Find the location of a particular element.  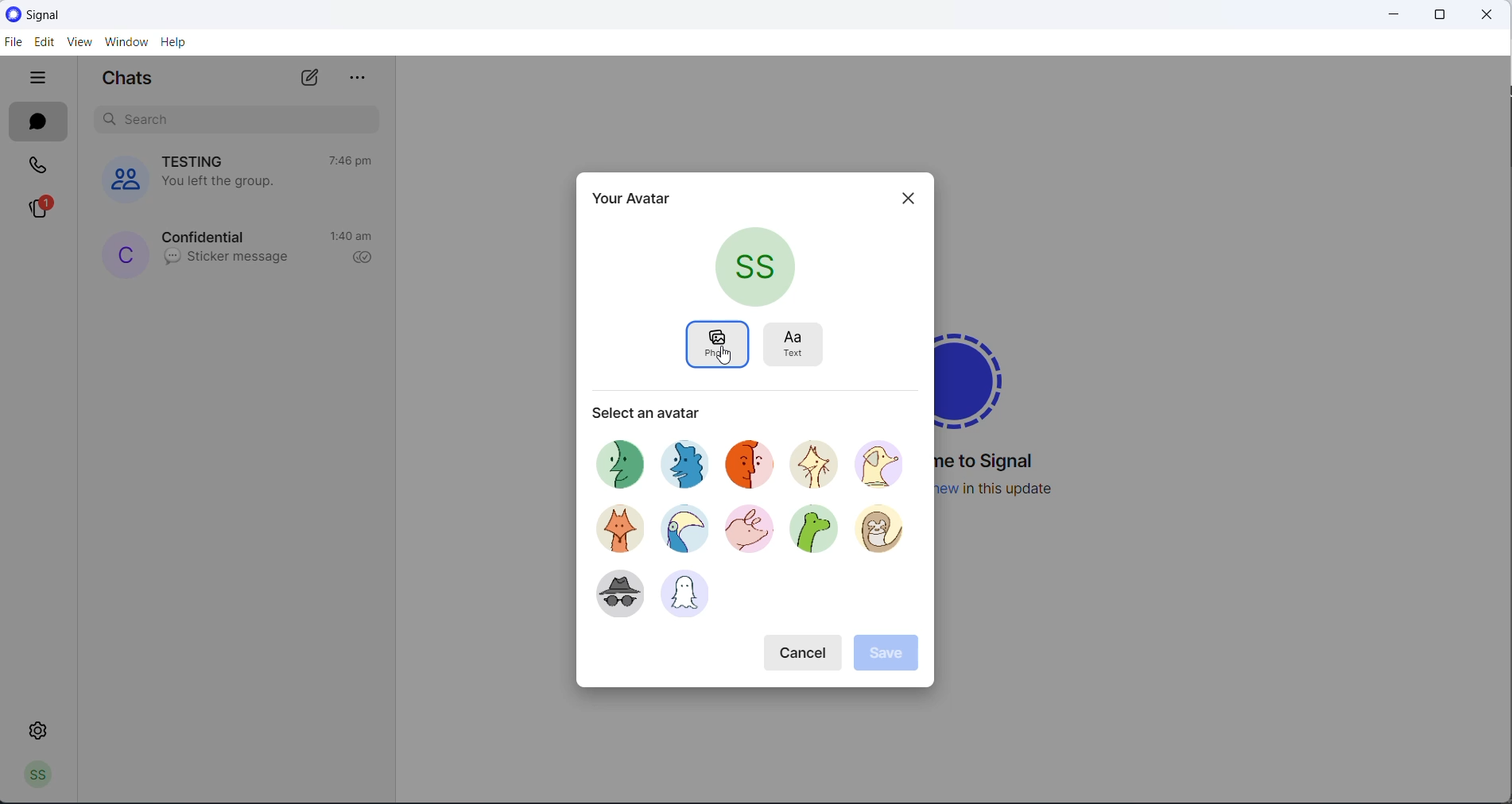

close is located at coordinates (1489, 16).